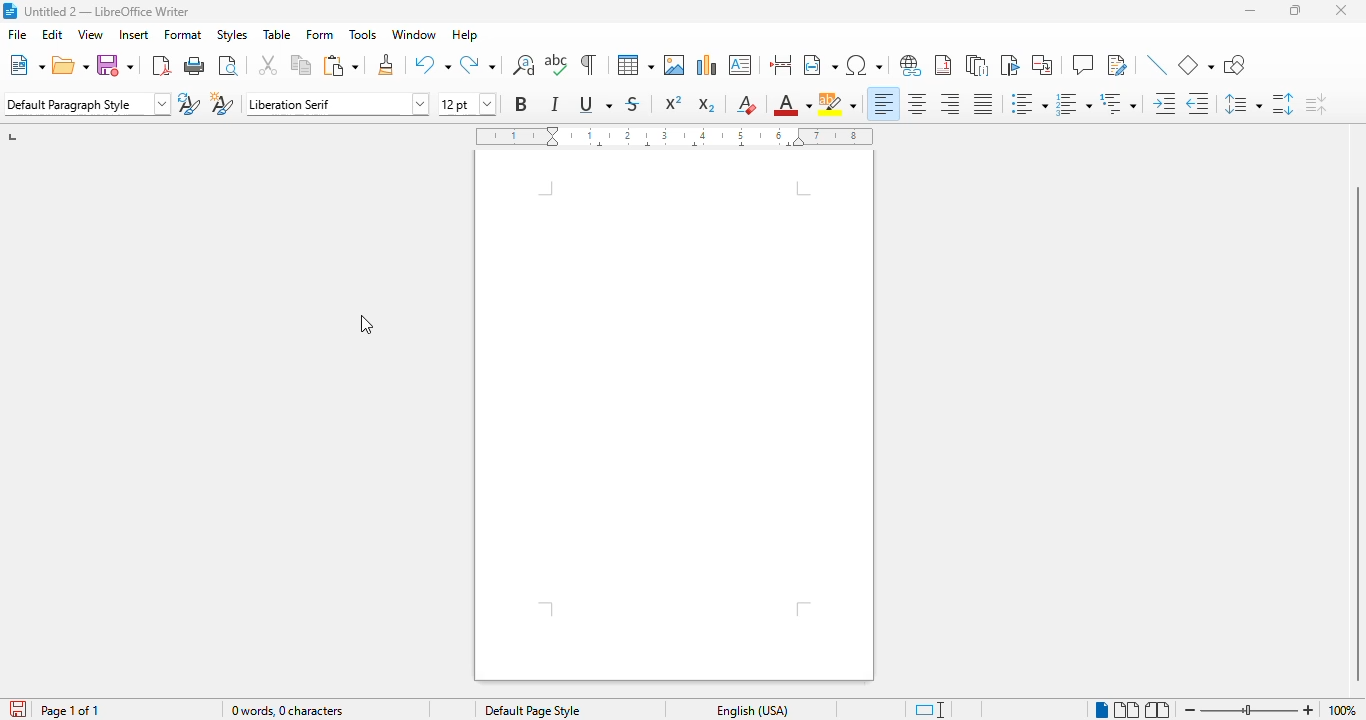 This screenshot has width=1366, height=720. Describe the element at coordinates (190, 104) in the screenshot. I see `update selected style` at that location.